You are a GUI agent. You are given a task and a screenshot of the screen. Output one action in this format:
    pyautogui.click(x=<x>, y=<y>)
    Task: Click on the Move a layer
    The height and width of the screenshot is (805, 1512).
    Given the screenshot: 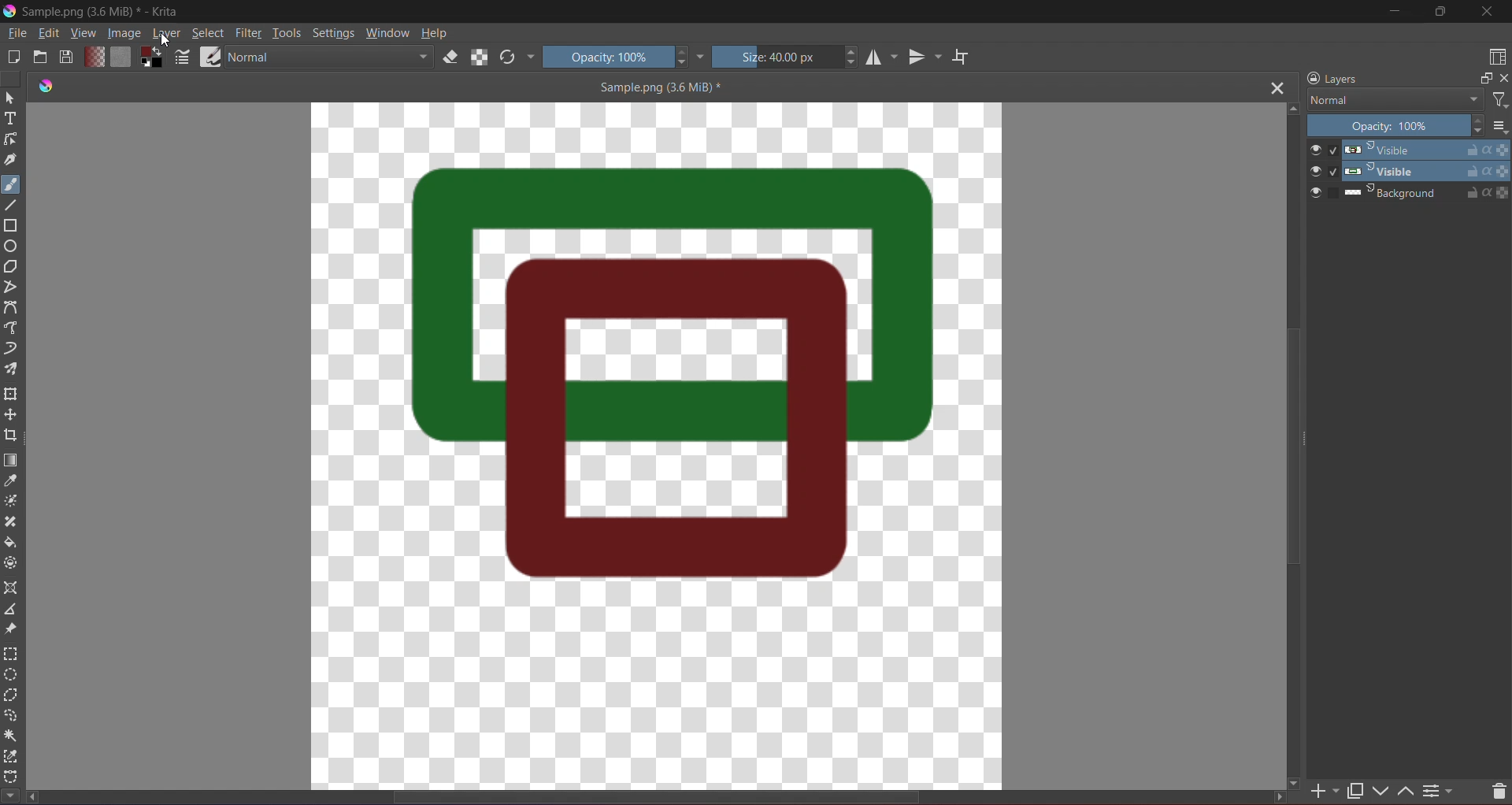 What is the action you would take?
    pyautogui.click(x=12, y=415)
    